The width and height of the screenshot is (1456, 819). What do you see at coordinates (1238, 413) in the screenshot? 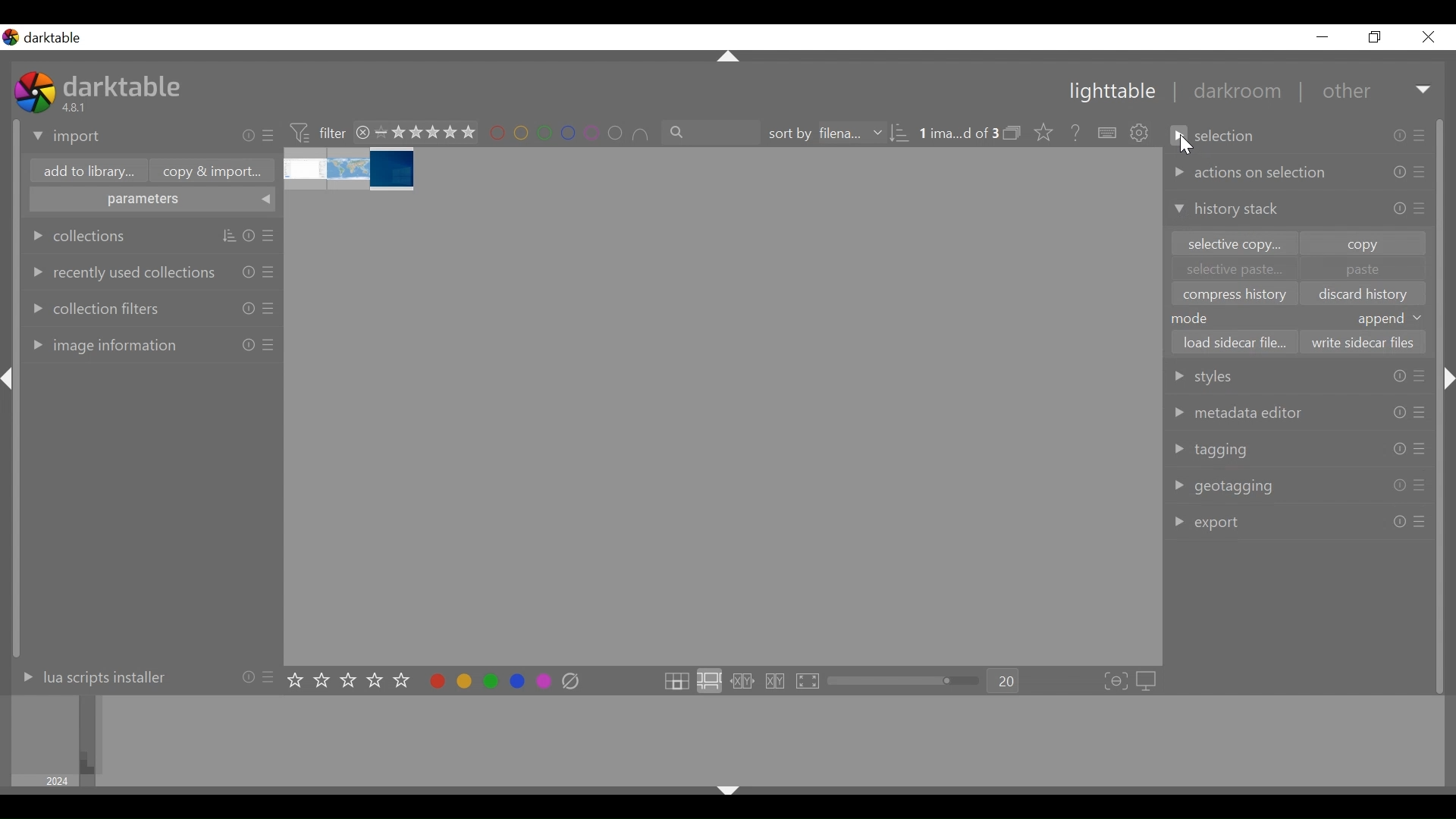
I see `metadata editor` at bounding box center [1238, 413].